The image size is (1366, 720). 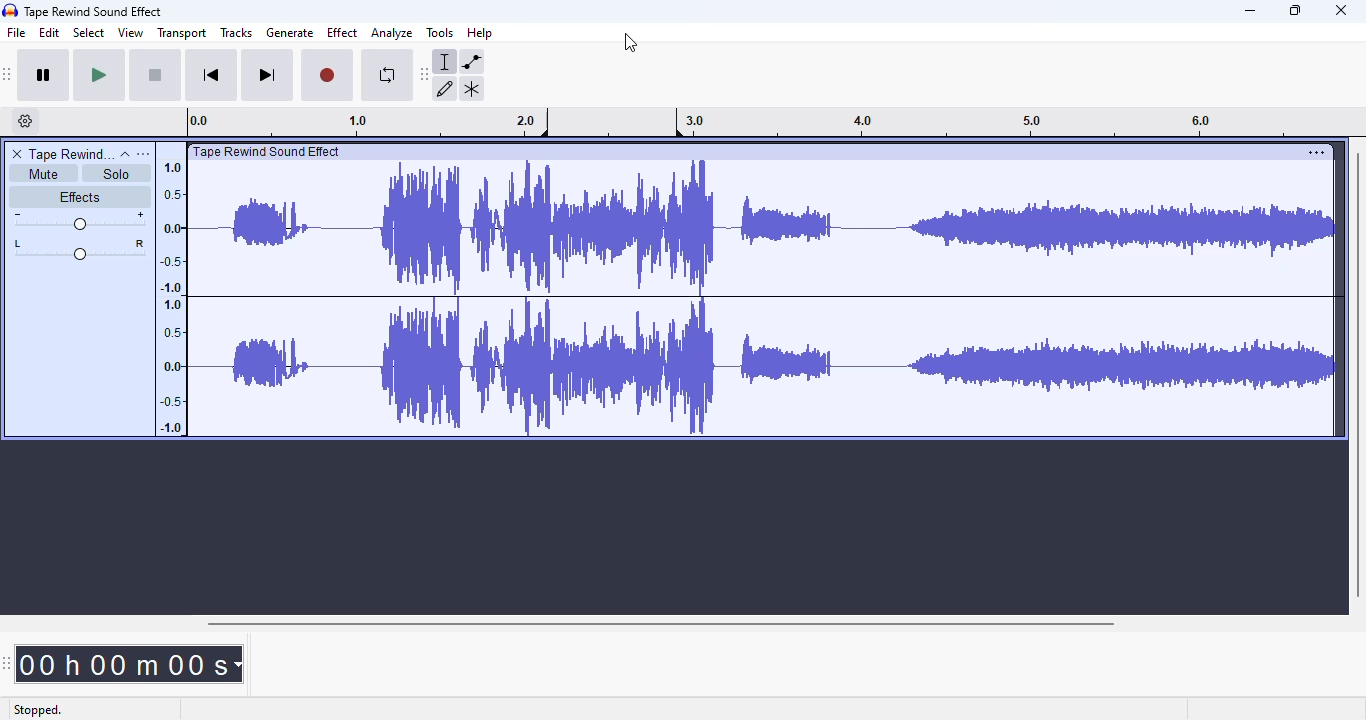 I want to click on view, so click(x=131, y=33).